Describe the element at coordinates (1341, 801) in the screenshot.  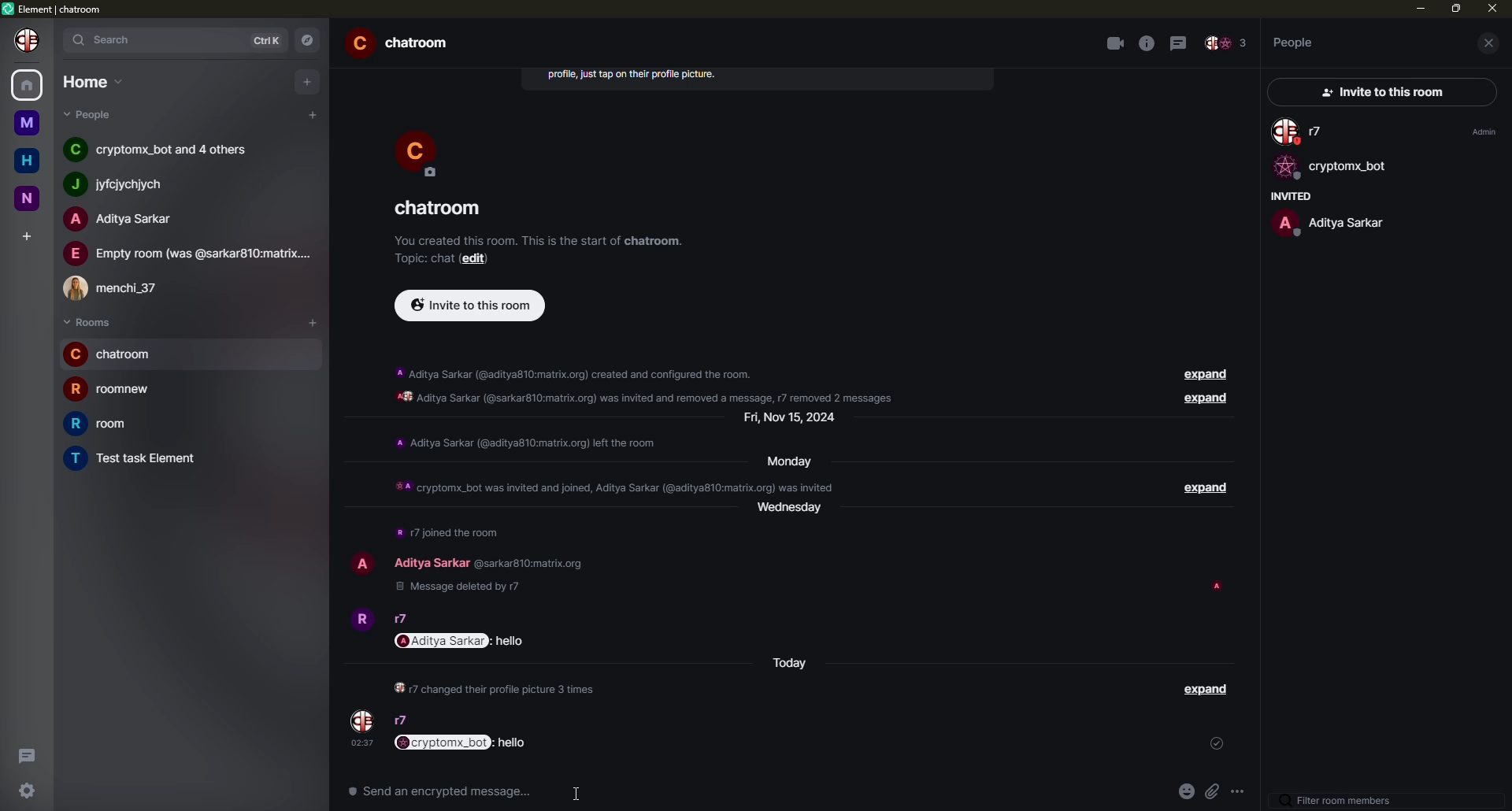
I see `filter room members` at that location.